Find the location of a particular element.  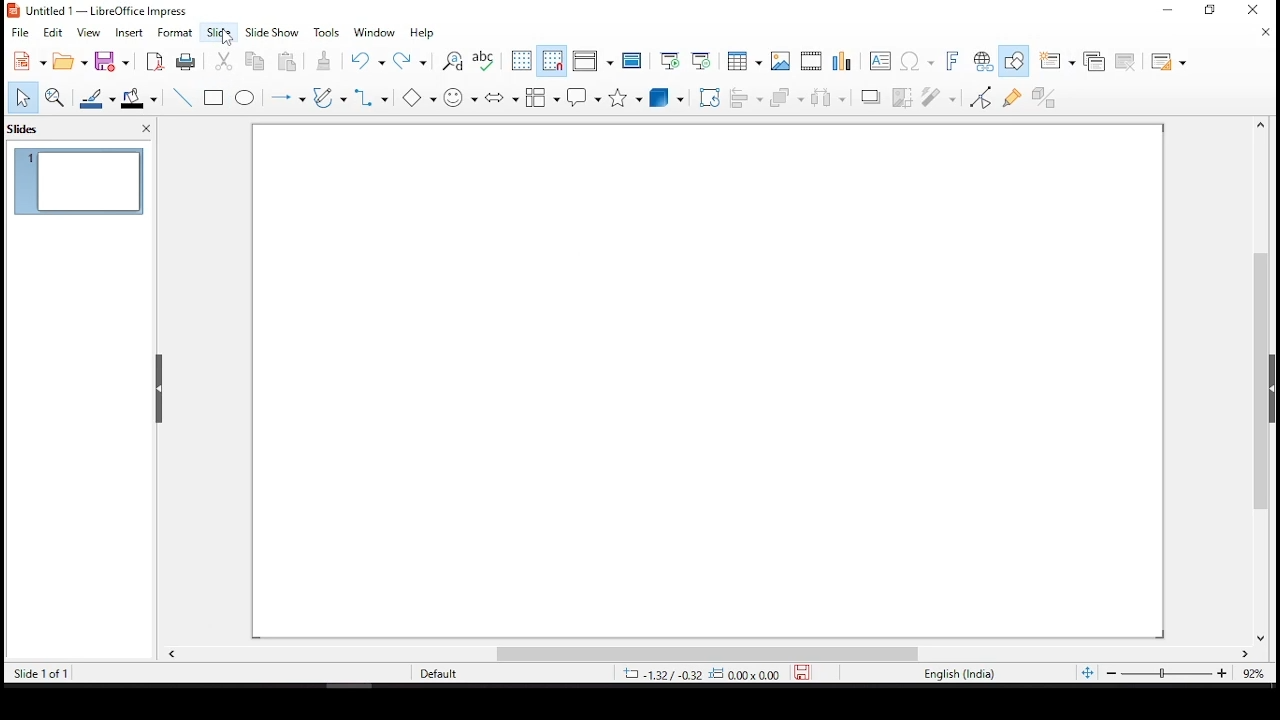

new is located at coordinates (25, 62).